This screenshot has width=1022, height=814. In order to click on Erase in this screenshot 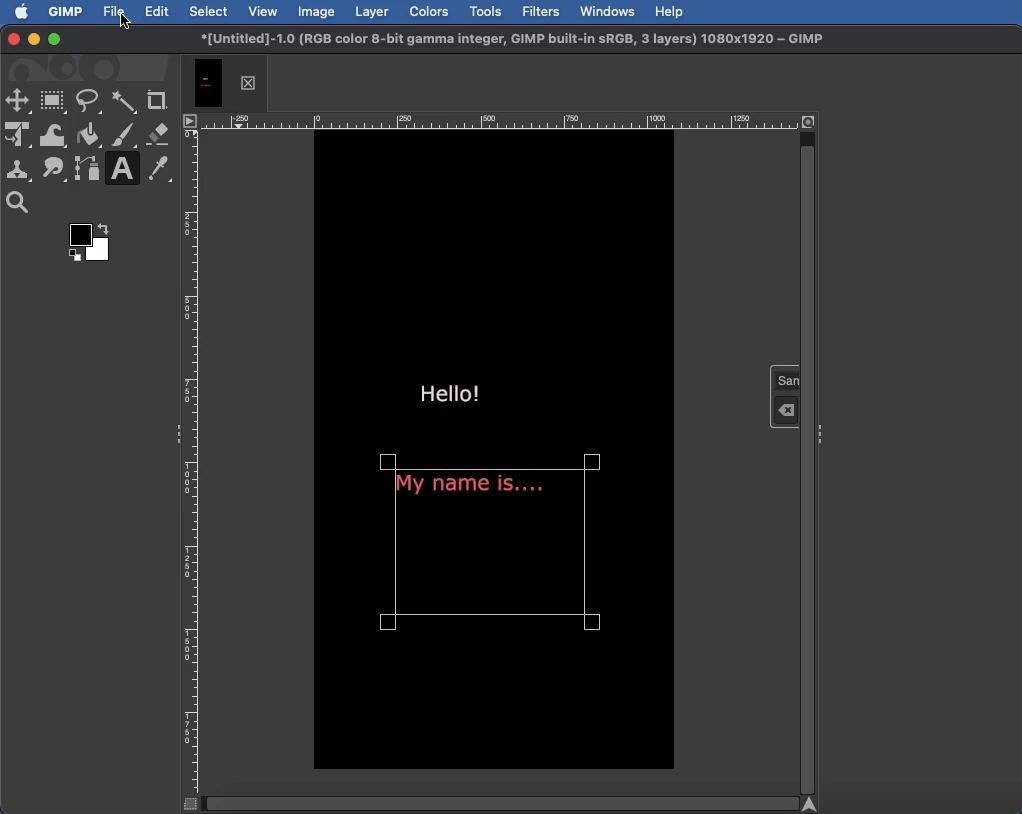, I will do `click(155, 134)`.